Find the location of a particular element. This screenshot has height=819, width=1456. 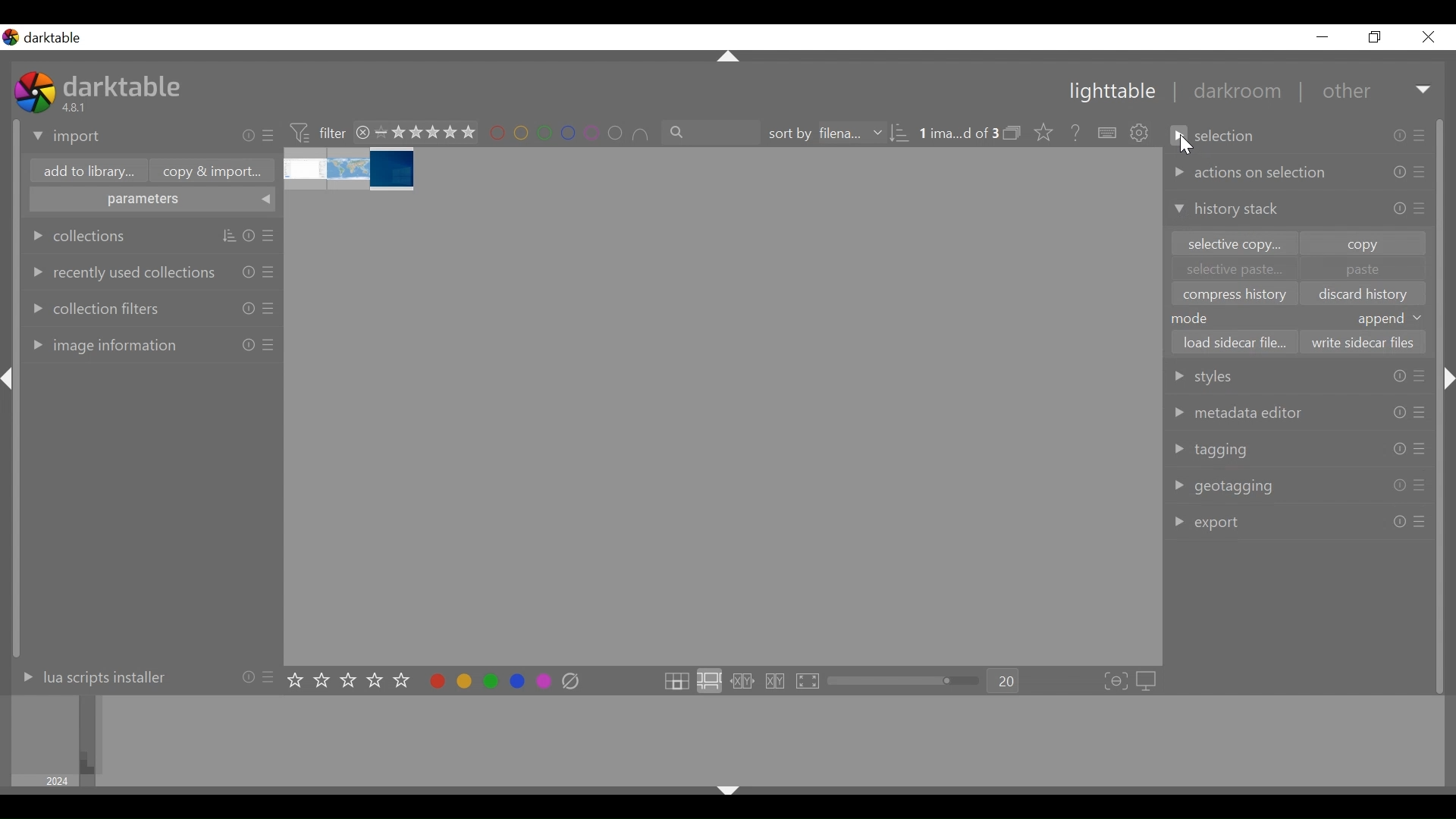

recently used collections is located at coordinates (121, 271).